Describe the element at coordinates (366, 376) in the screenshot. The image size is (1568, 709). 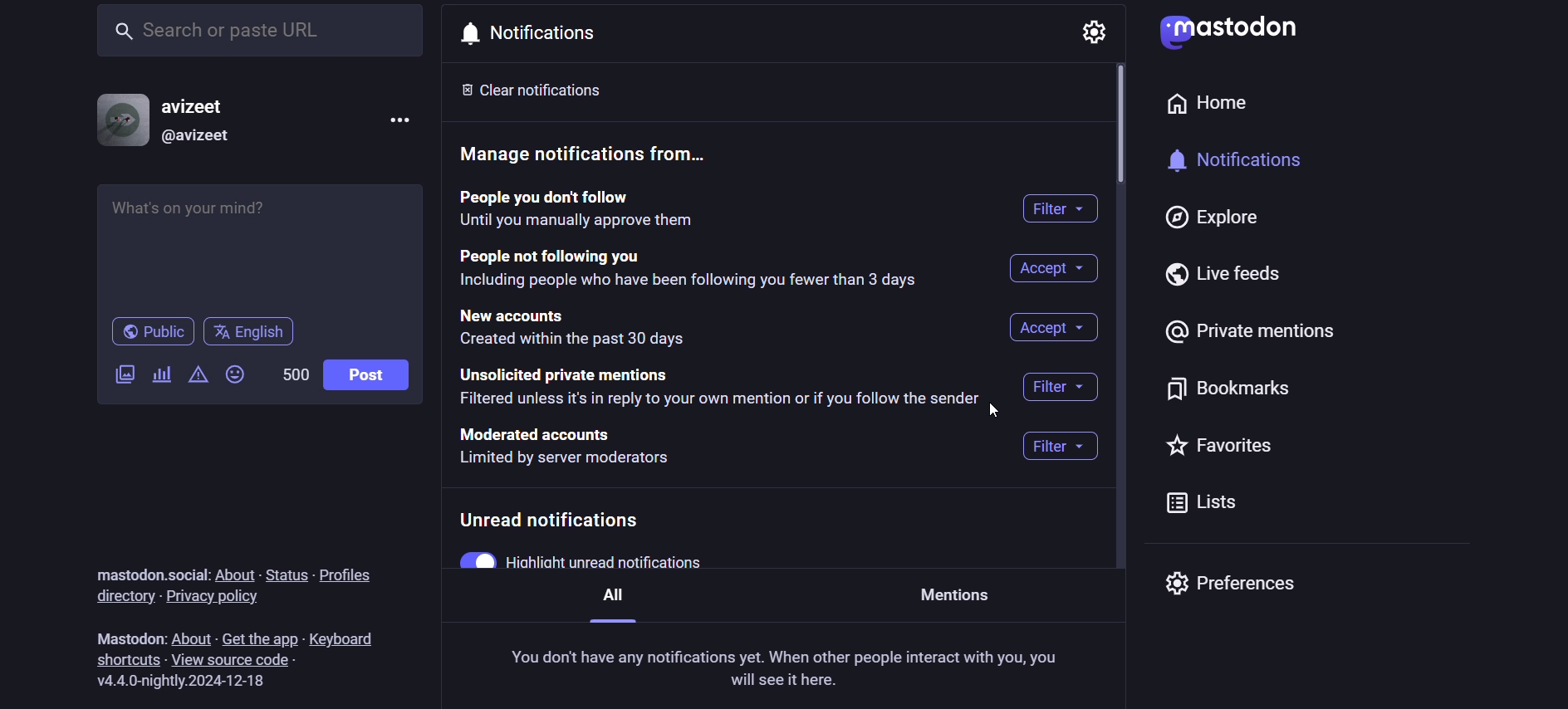
I see `Post` at that location.